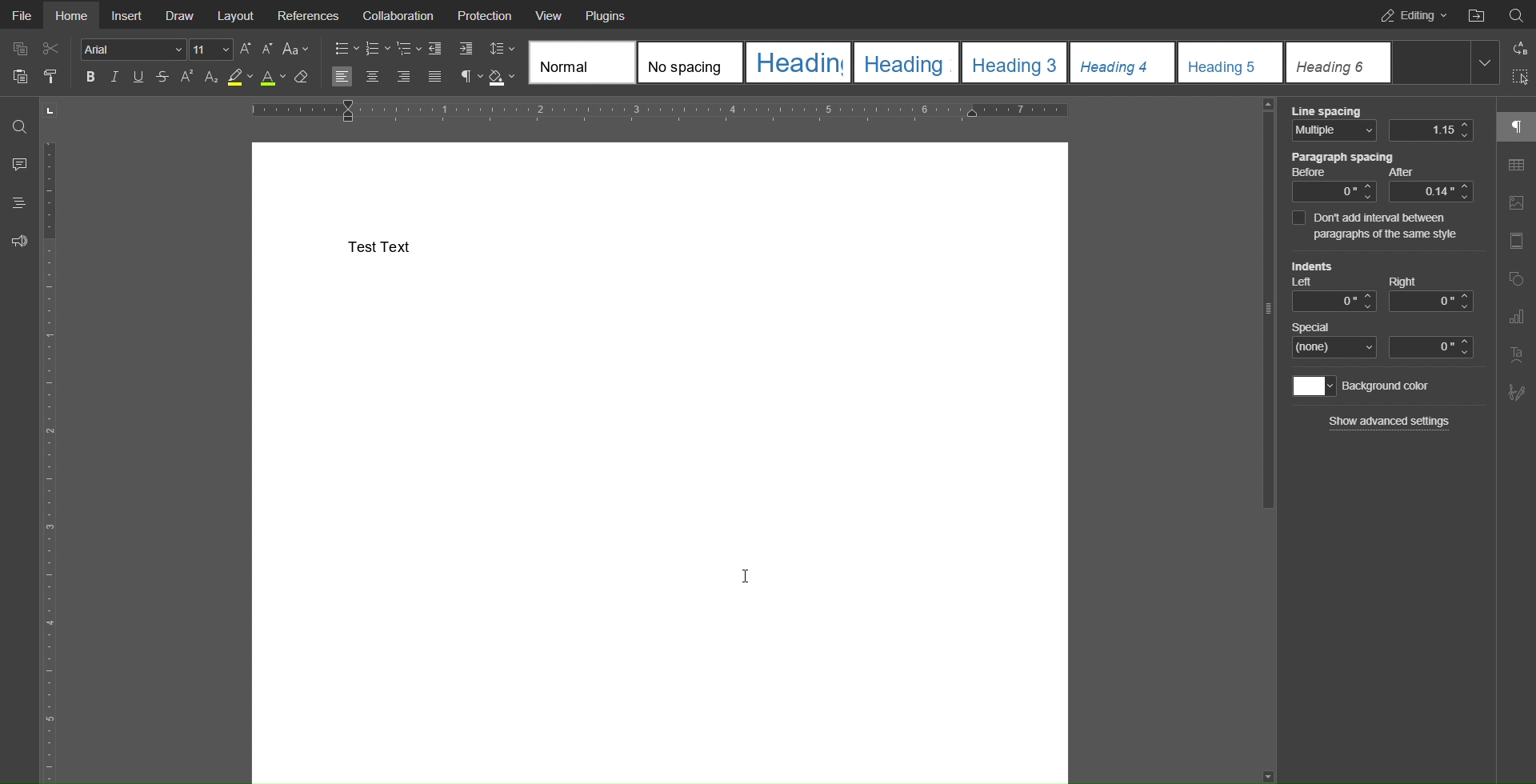 This screenshot has width=1536, height=784. What do you see at coordinates (181, 14) in the screenshot?
I see `Draw` at bounding box center [181, 14].